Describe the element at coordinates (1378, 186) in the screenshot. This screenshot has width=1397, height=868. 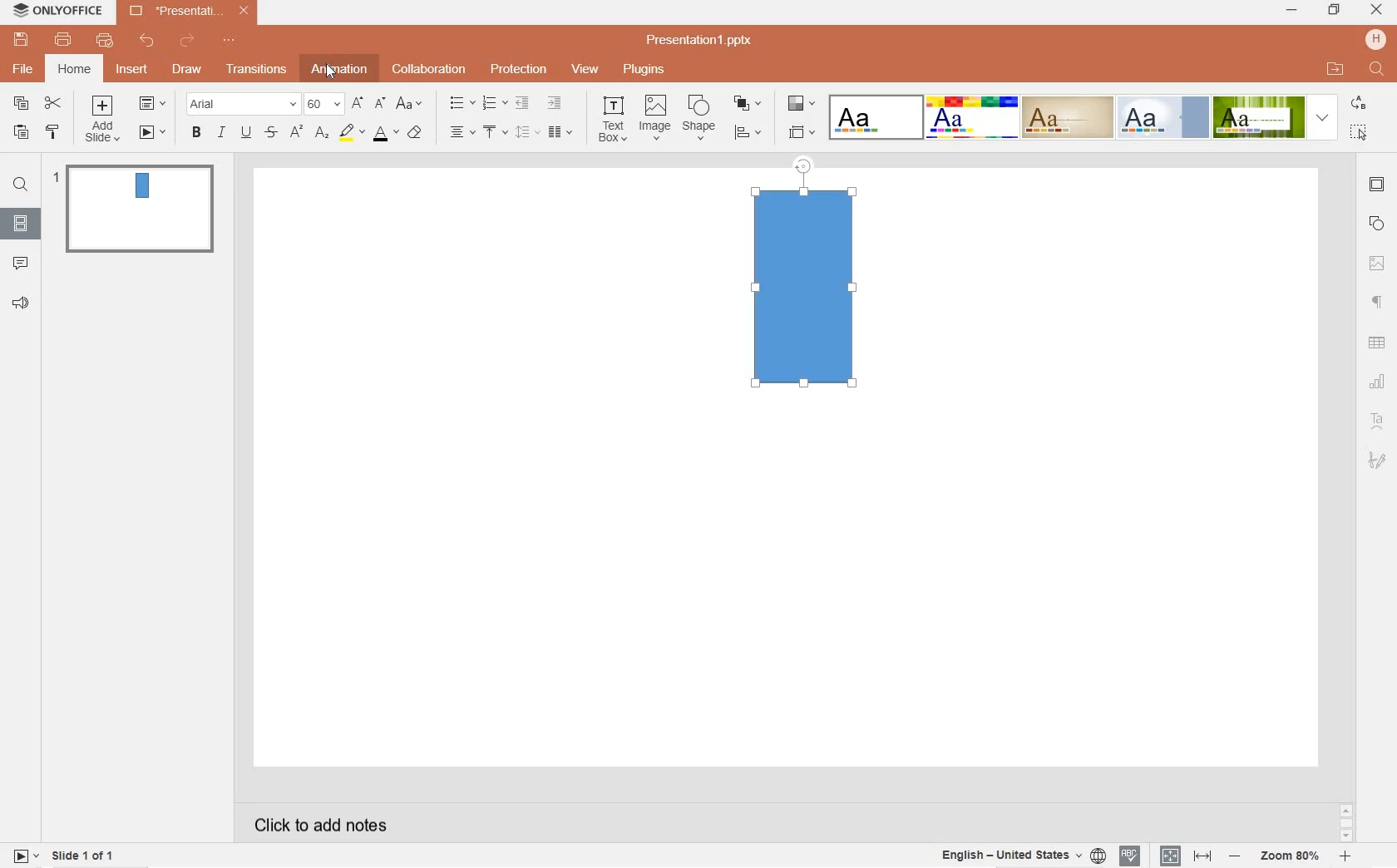
I see `slide settings` at that location.